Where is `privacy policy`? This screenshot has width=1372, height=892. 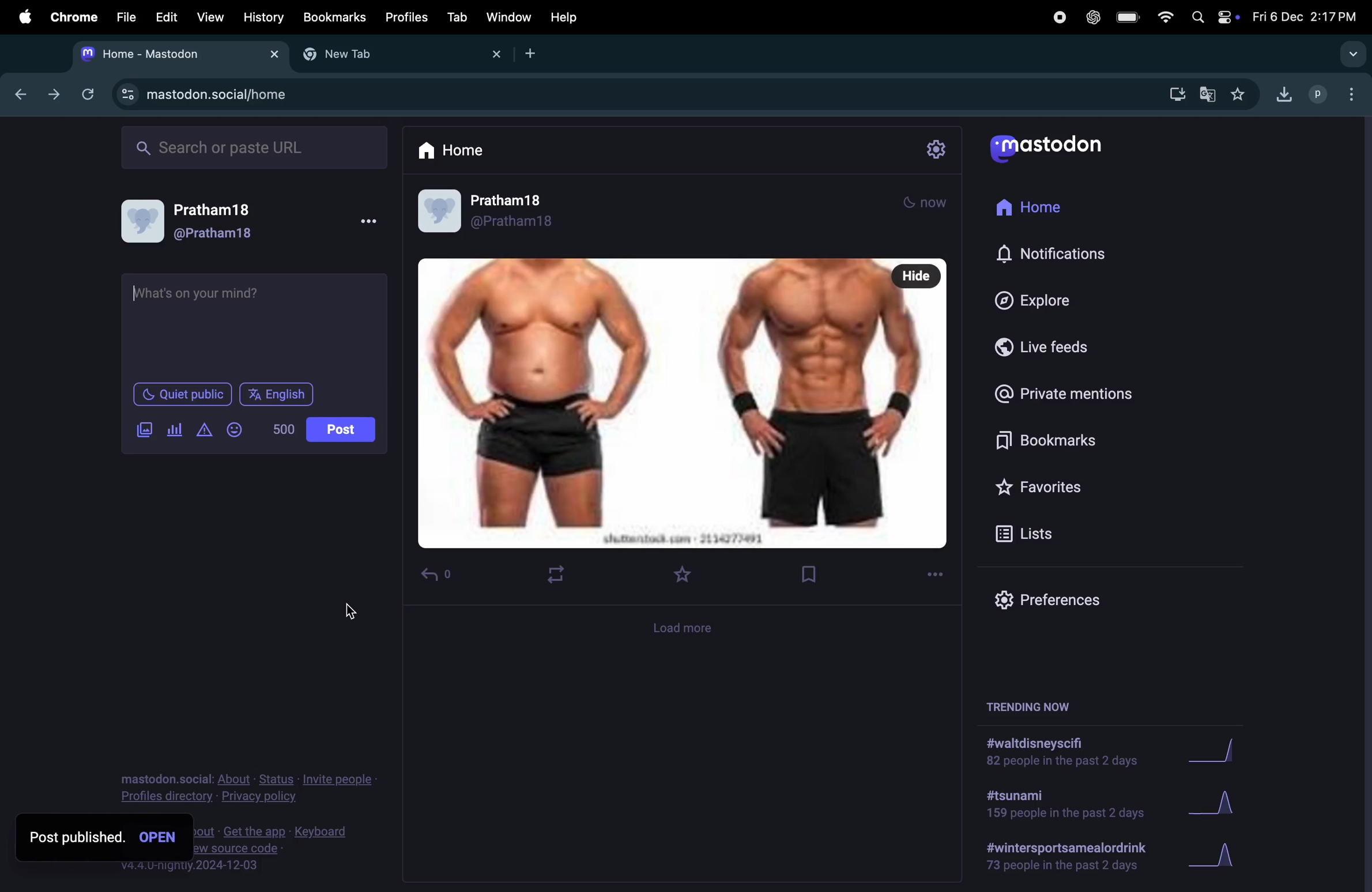 privacy policy is located at coordinates (248, 785).